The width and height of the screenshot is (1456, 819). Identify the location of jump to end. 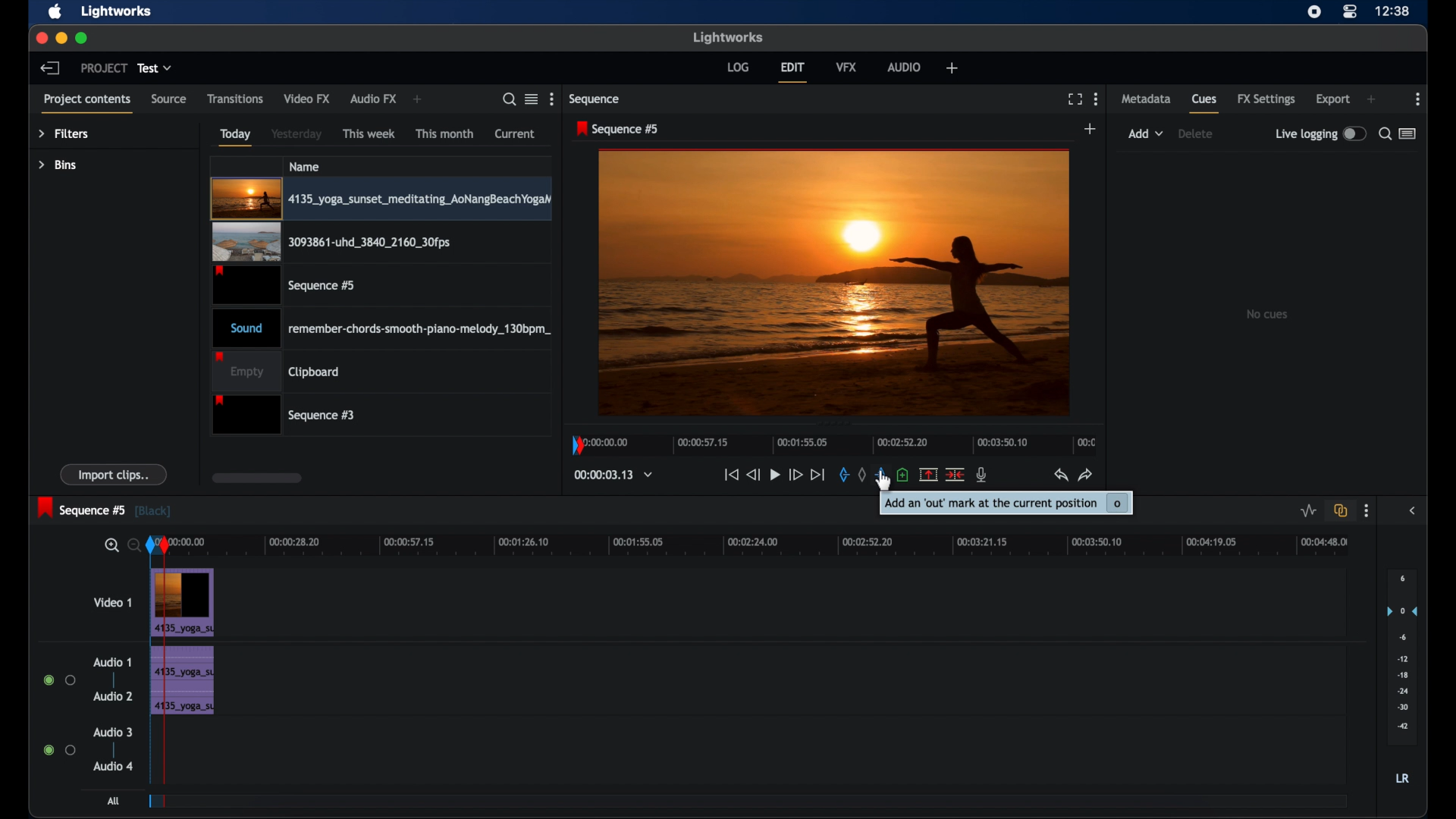
(817, 474).